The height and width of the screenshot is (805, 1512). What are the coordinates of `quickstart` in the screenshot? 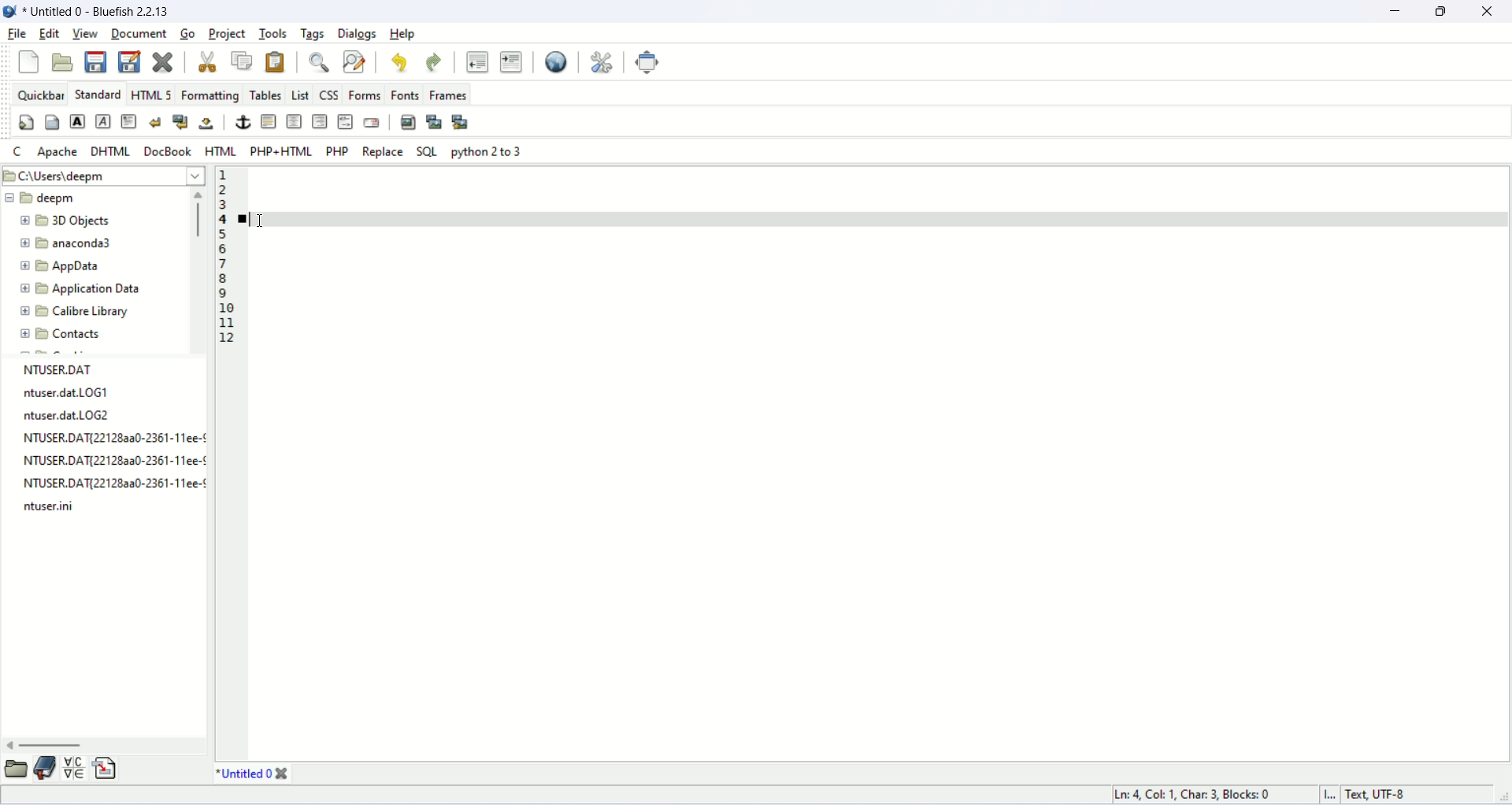 It's located at (28, 123).